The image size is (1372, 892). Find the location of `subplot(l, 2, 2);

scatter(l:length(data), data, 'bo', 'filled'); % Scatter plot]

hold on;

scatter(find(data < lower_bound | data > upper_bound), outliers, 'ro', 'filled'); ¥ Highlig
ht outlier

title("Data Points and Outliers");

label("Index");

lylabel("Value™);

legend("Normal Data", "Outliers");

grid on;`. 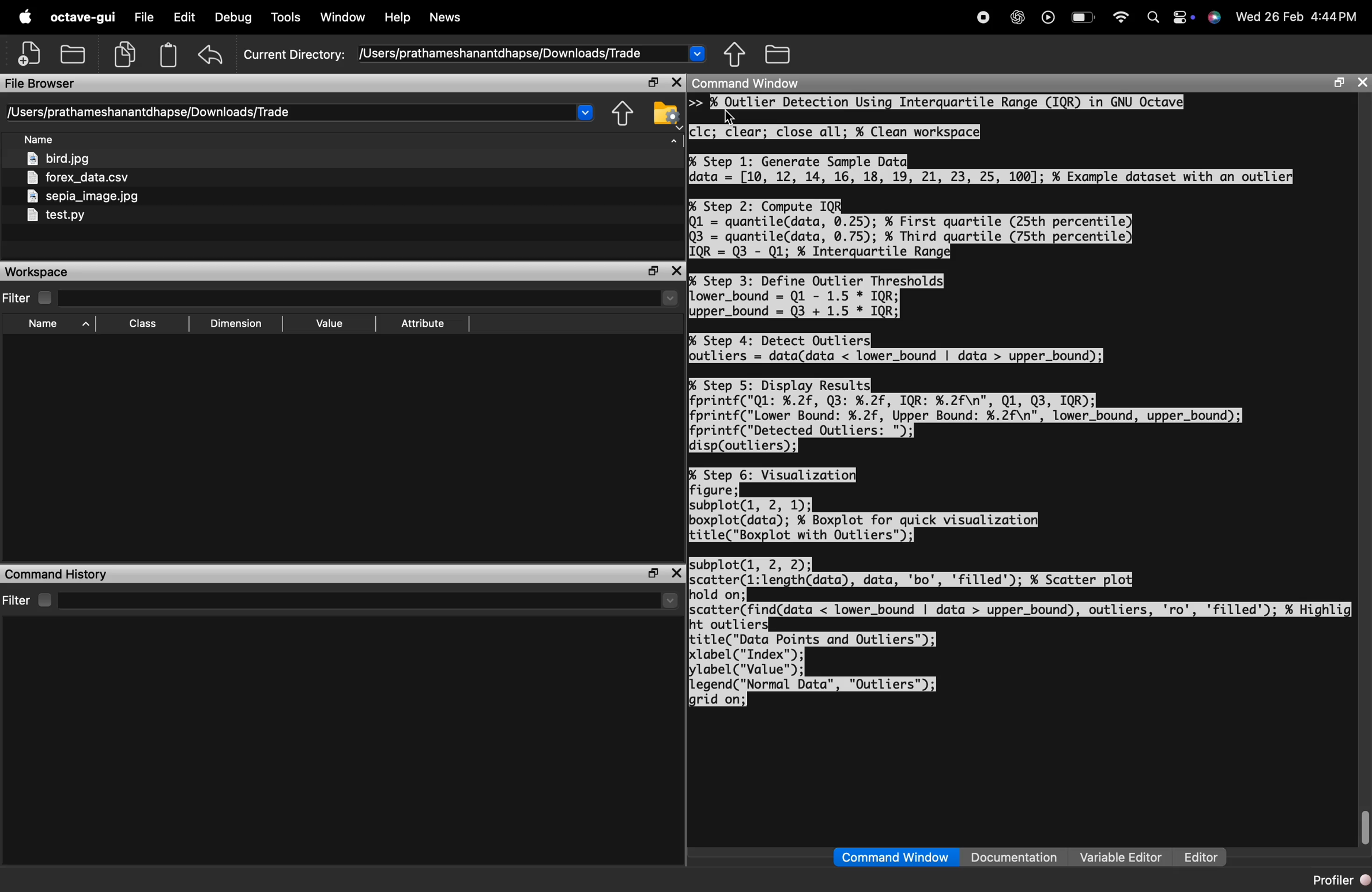

subplot(l, 2, 2);

scatter(l:length(data), data, 'bo', 'filled'); % Scatter plot]

hold on;

scatter(find(data < lower_bound | data > upper_bound), outliers, 'ro', 'filled'); ¥ Highlig
ht outlier

title("Data Points and Outliers");

label("Index");

lylabel("Value™);

legend("Normal Data", "Outliers");

grid on; is located at coordinates (1022, 632).